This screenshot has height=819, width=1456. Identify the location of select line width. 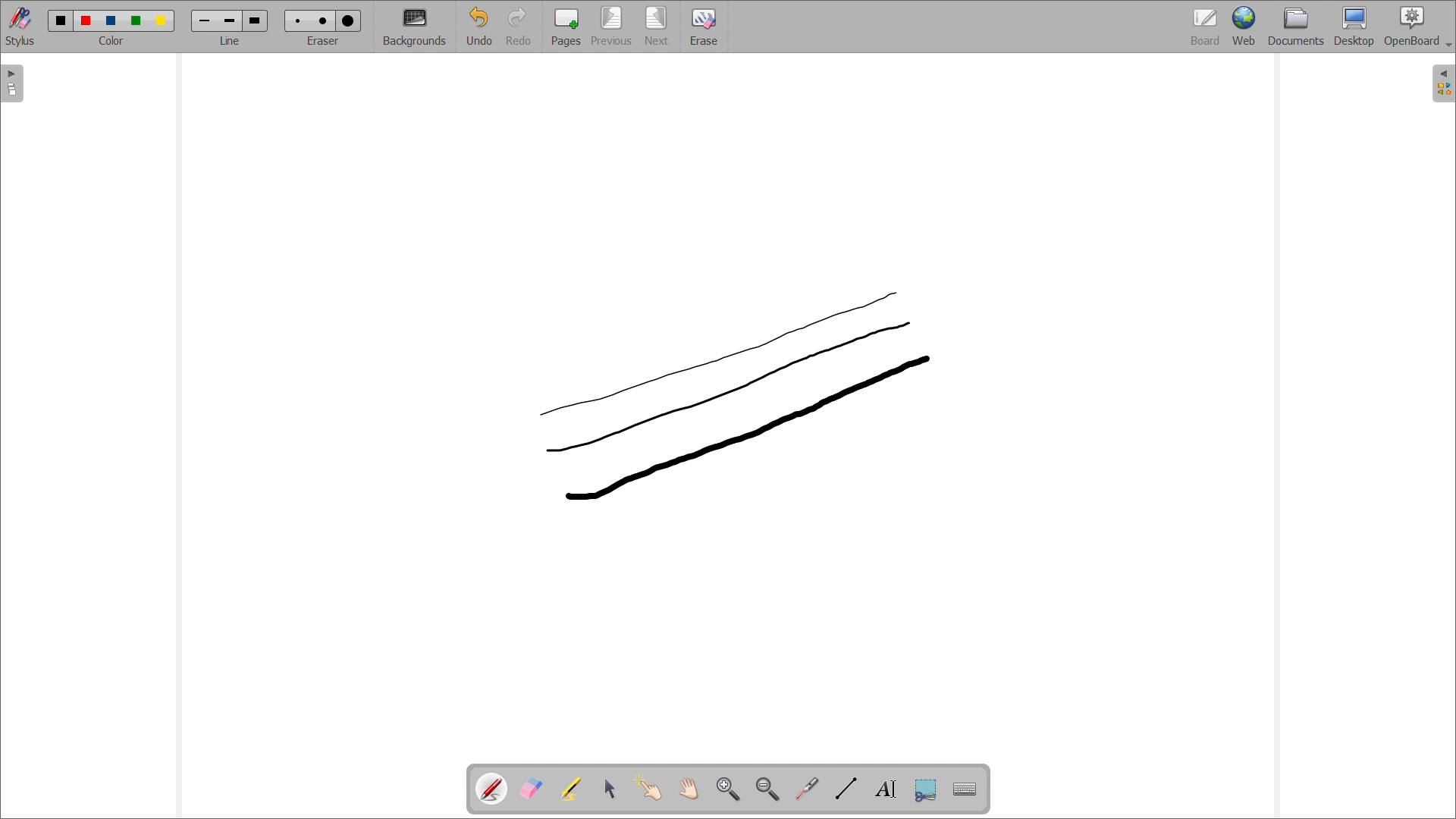
(230, 42).